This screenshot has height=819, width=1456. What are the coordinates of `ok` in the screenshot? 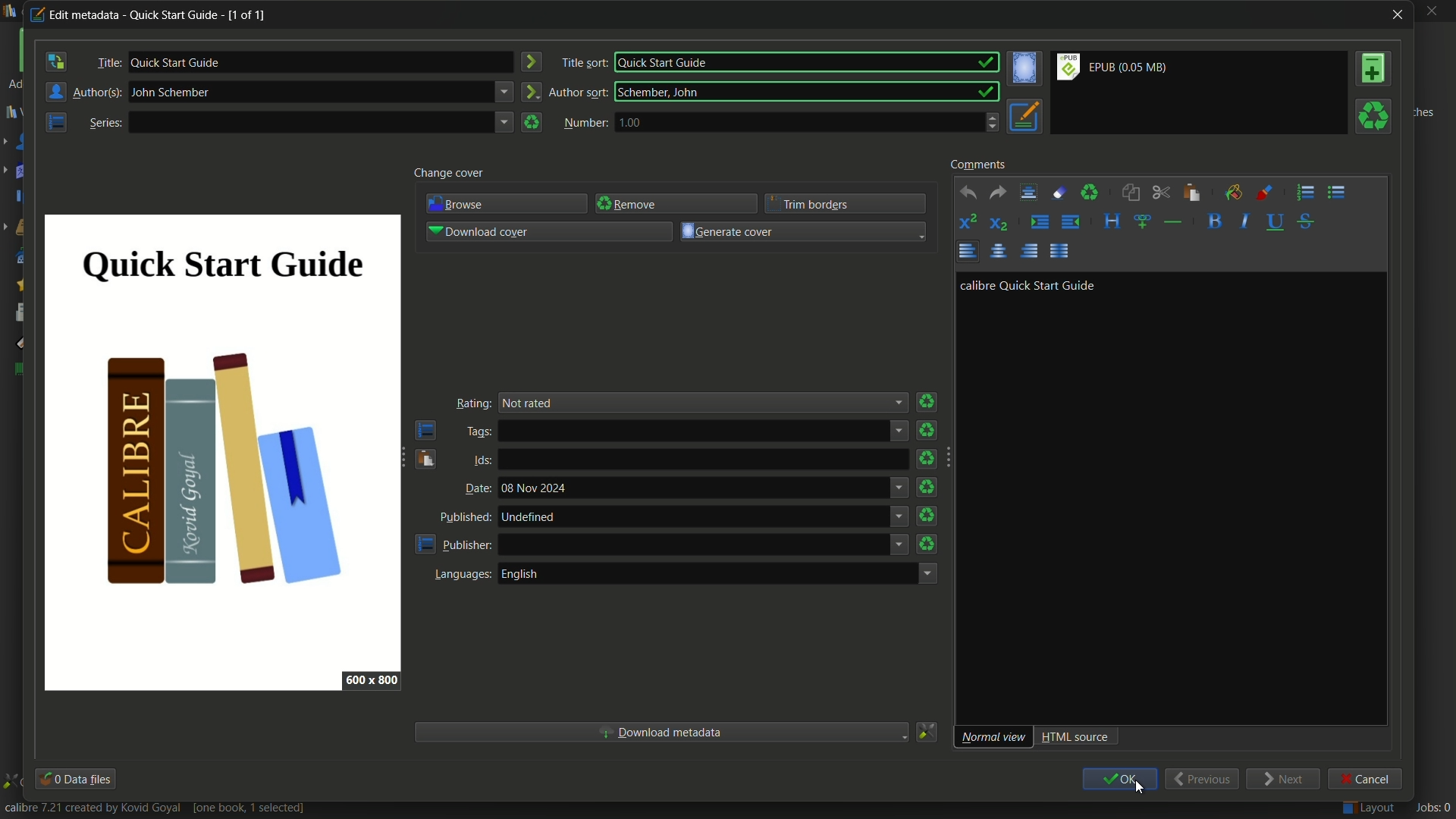 It's located at (1118, 780).